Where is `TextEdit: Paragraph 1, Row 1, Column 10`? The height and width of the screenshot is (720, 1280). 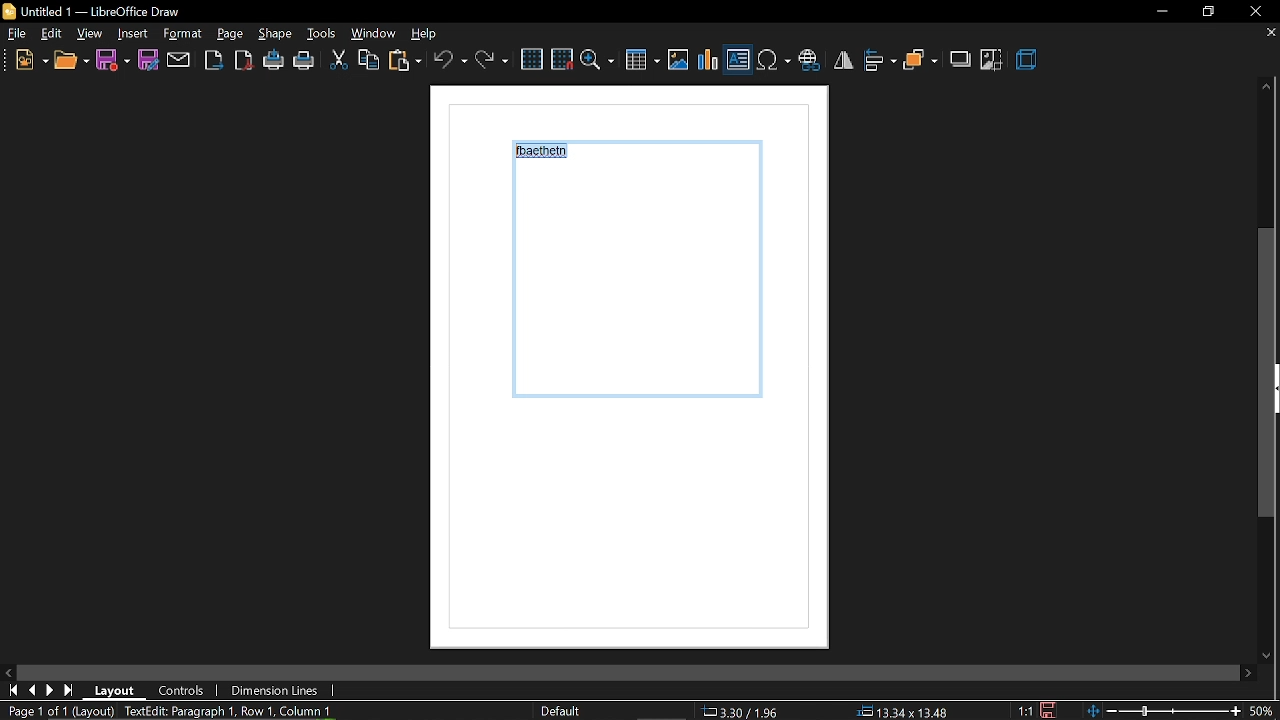 TextEdit: Paragraph 1, Row 1, Column 10 is located at coordinates (232, 711).